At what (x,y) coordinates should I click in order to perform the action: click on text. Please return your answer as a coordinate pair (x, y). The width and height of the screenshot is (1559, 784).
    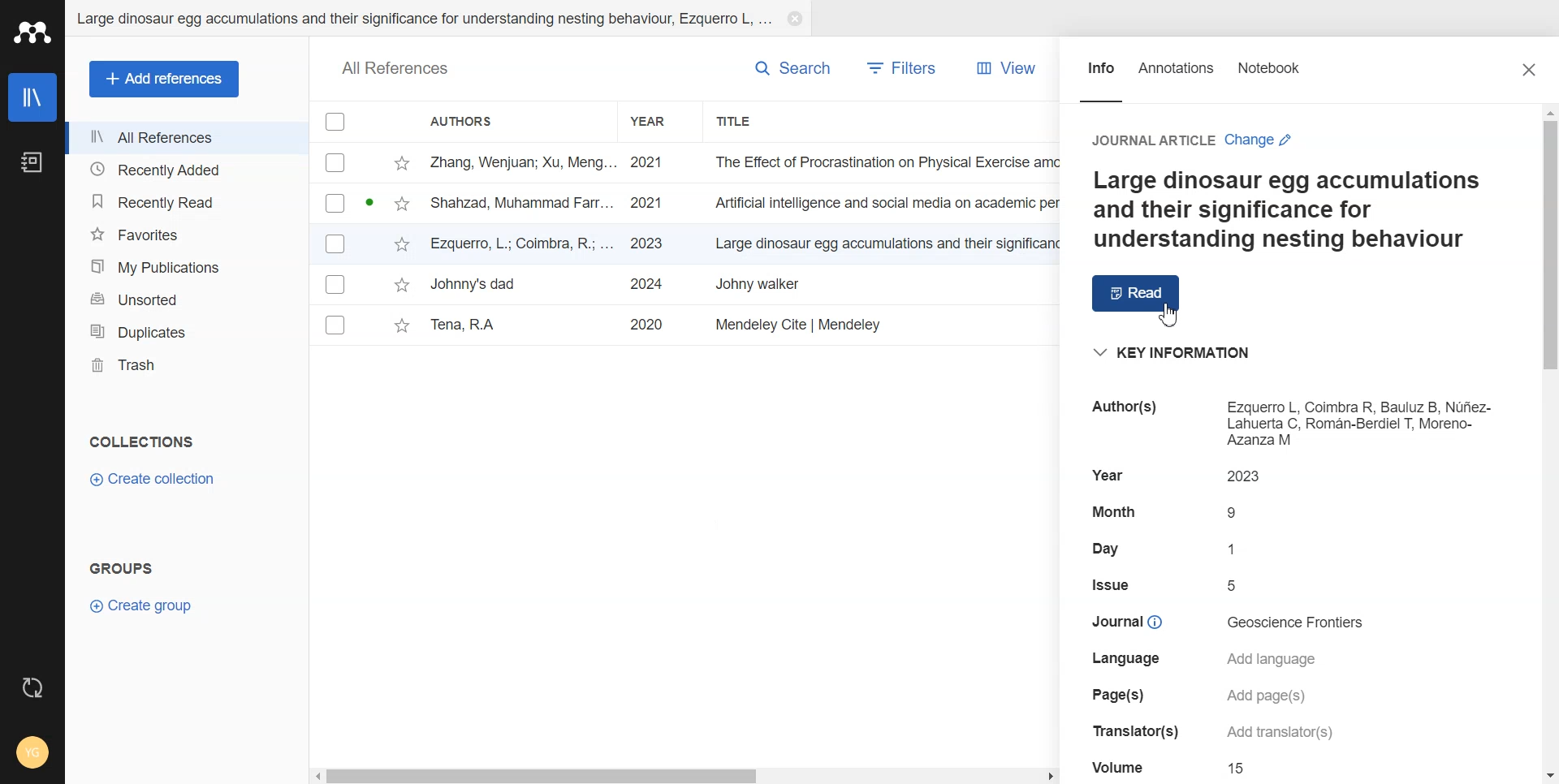
    Looking at the image, I should click on (1250, 476).